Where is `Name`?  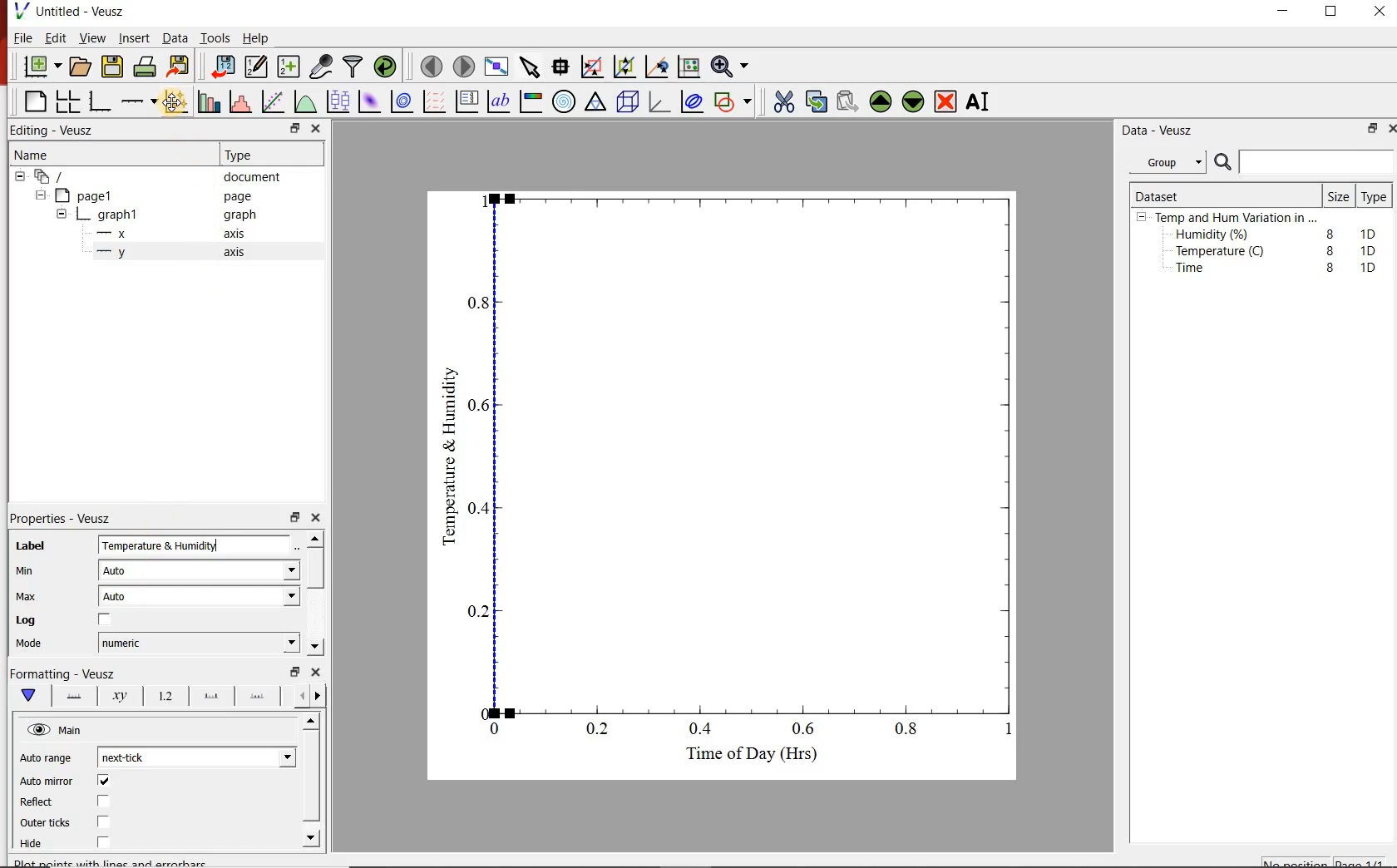 Name is located at coordinates (47, 156).